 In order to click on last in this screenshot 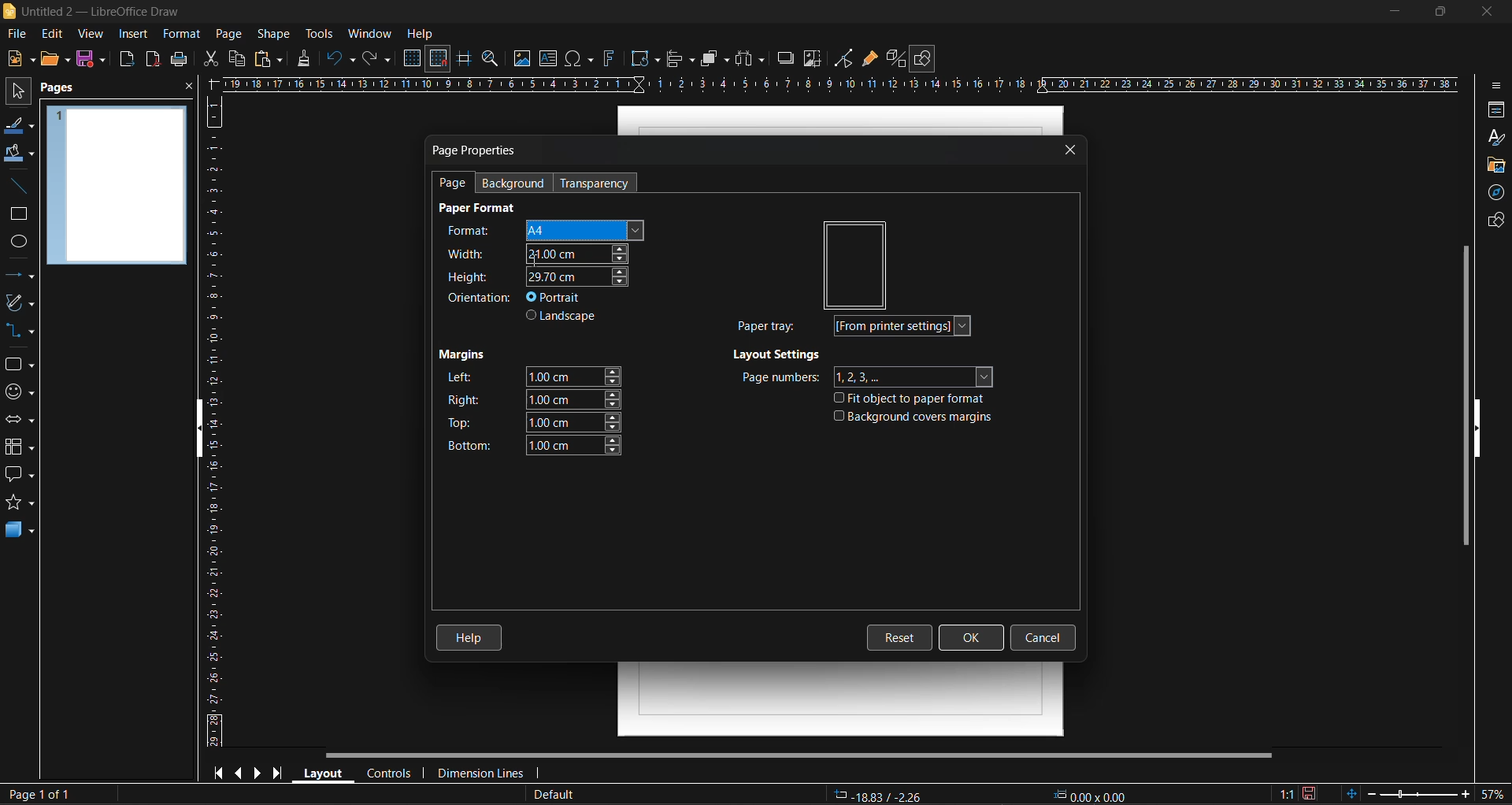, I will do `click(283, 773)`.